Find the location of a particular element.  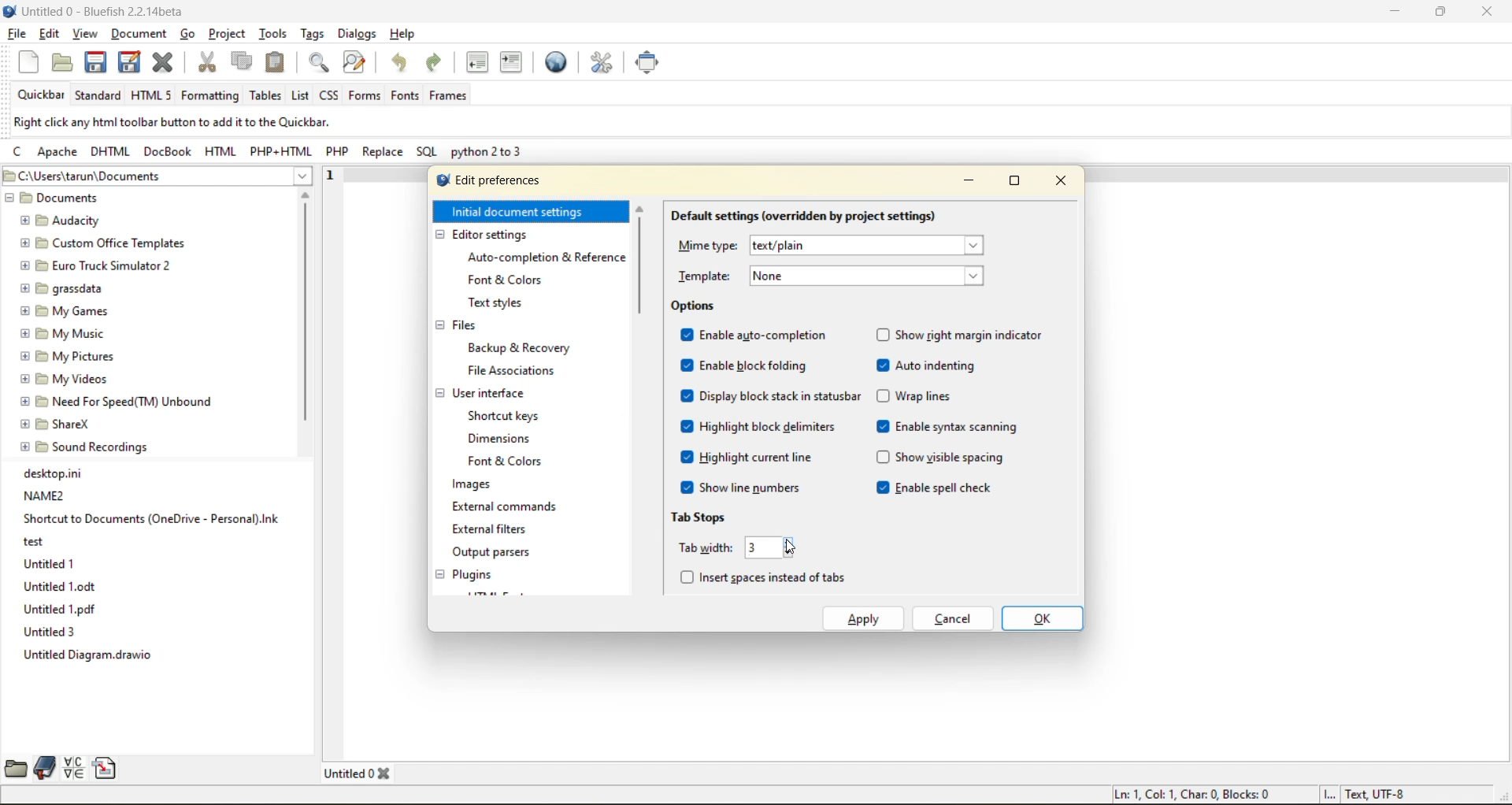

BE Audacity is located at coordinates (65, 219).